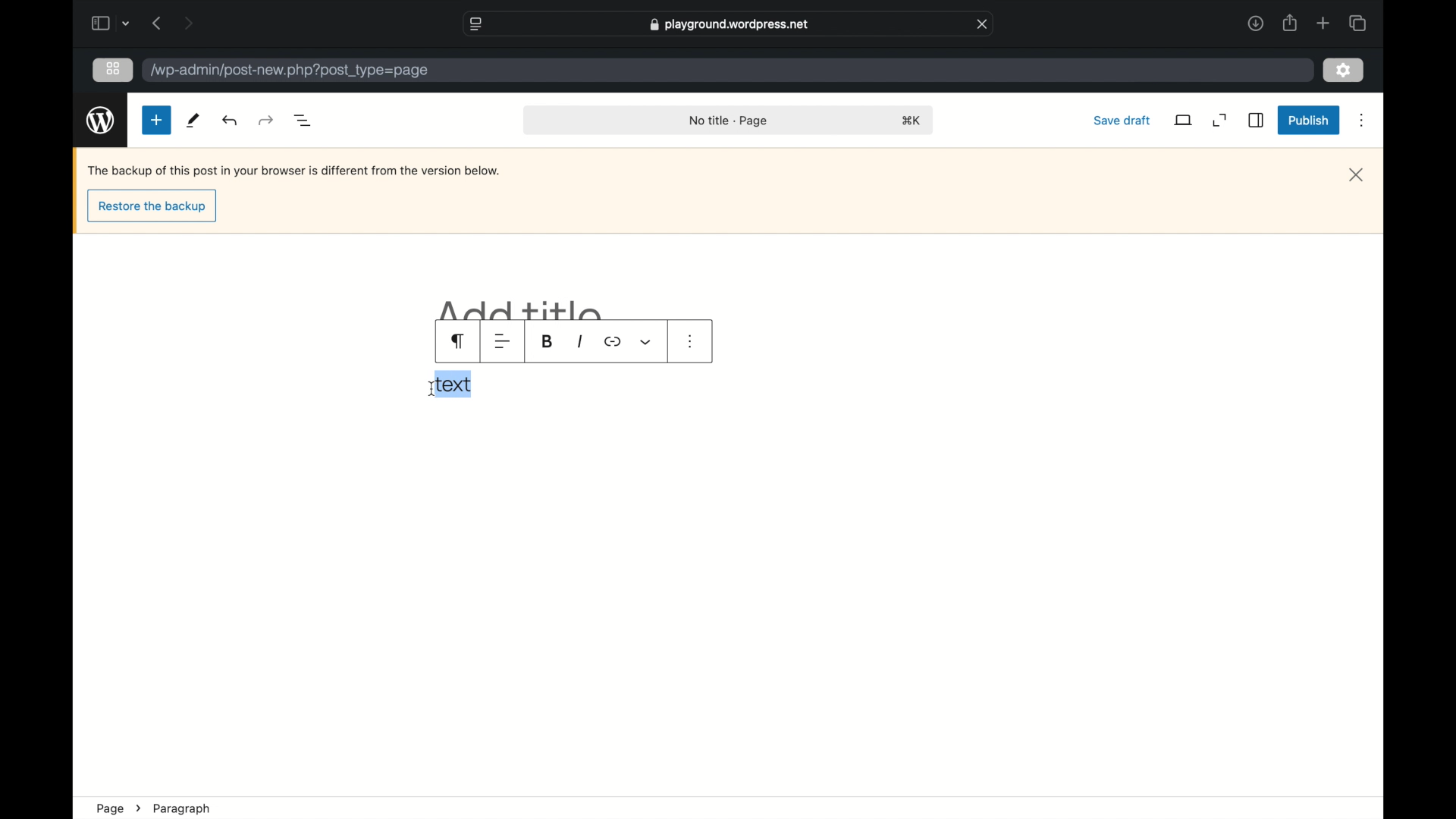  What do you see at coordinates (183, 809) in the screenshot?
I see `paragraph` at bounding box center [183, 809].